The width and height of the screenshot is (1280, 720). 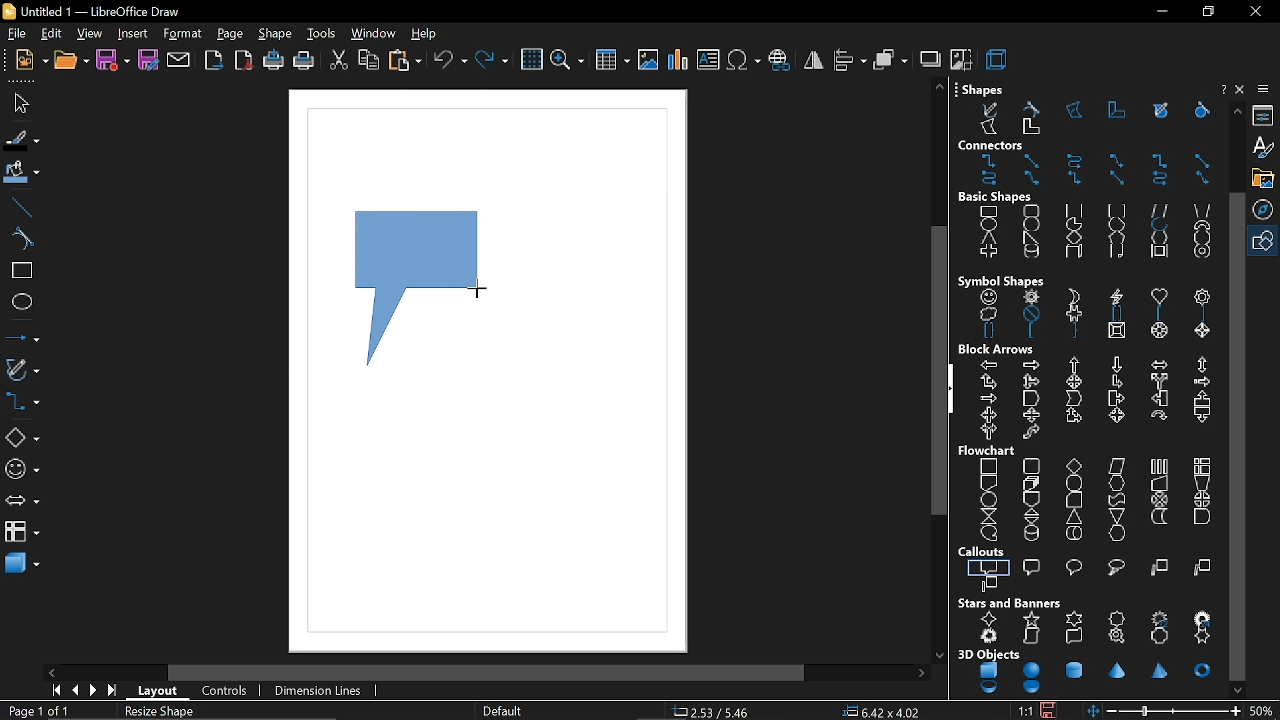 What do you see at coordinates (1119, 180) in the screenshot?
I see `straight connector with arrows` at bounding box center [1119, 180].